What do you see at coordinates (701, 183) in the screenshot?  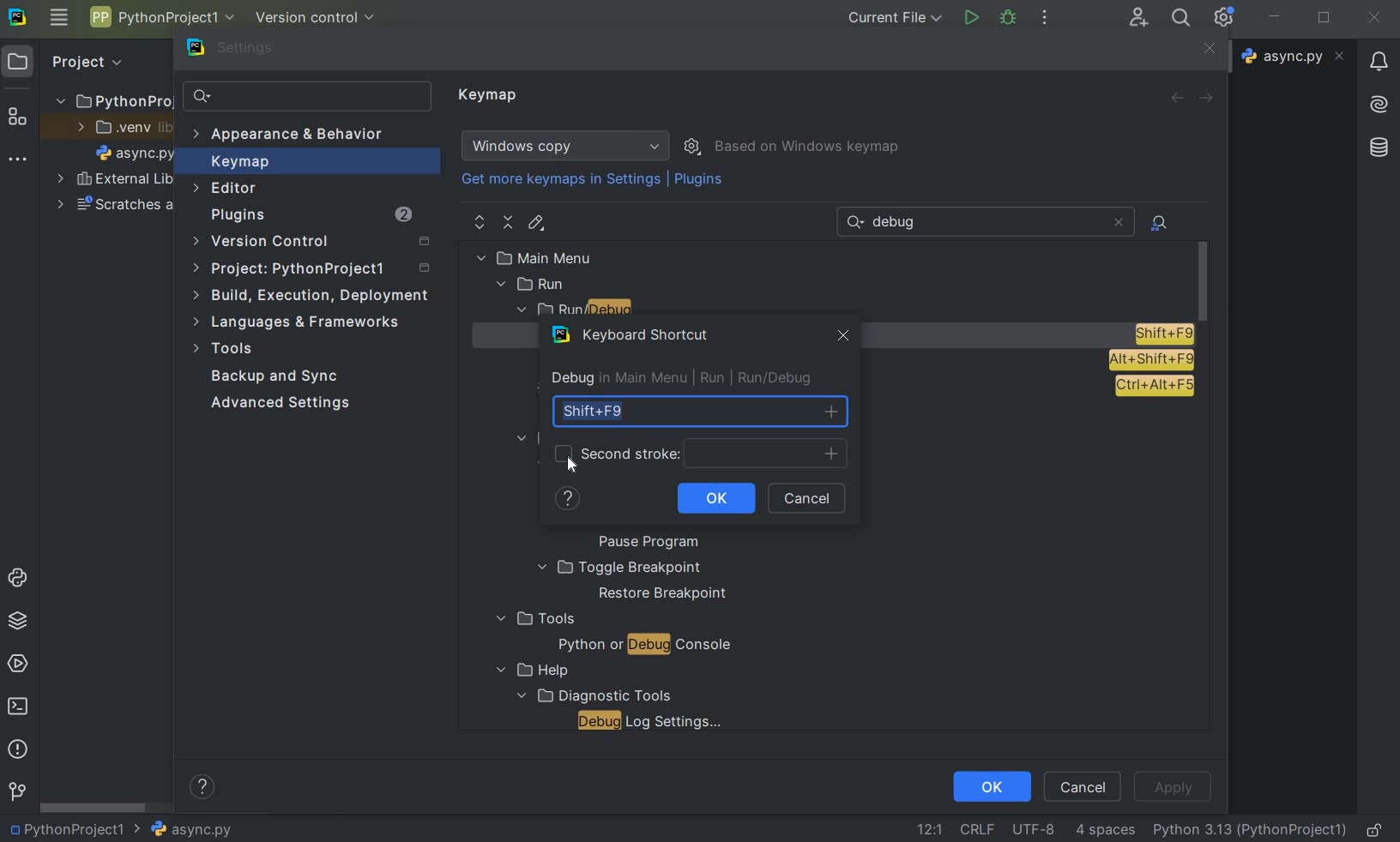 I see `plugins` at bounding box center [701, 183].